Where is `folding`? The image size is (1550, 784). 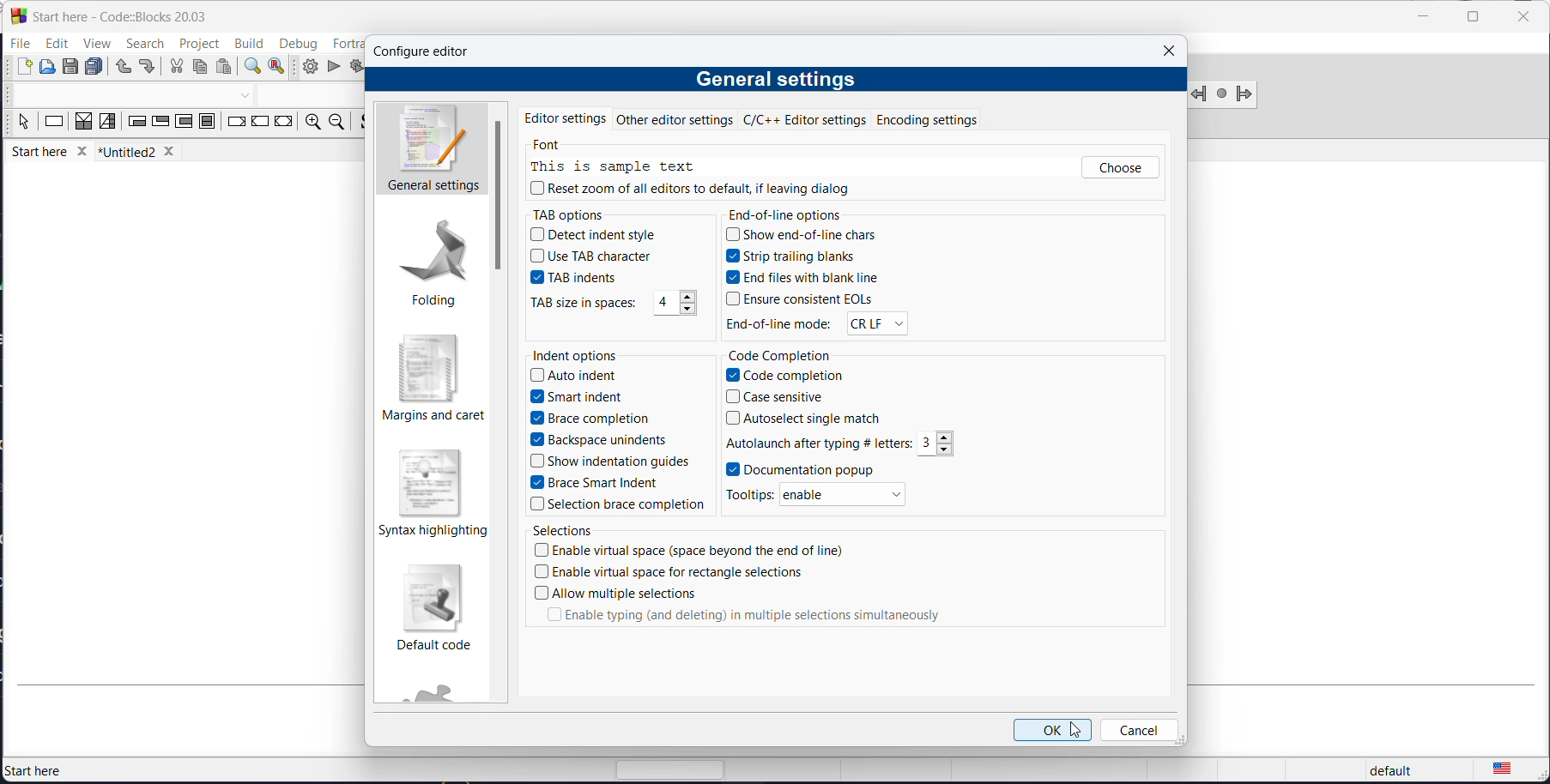 folding is located at coordinates (432, 265).